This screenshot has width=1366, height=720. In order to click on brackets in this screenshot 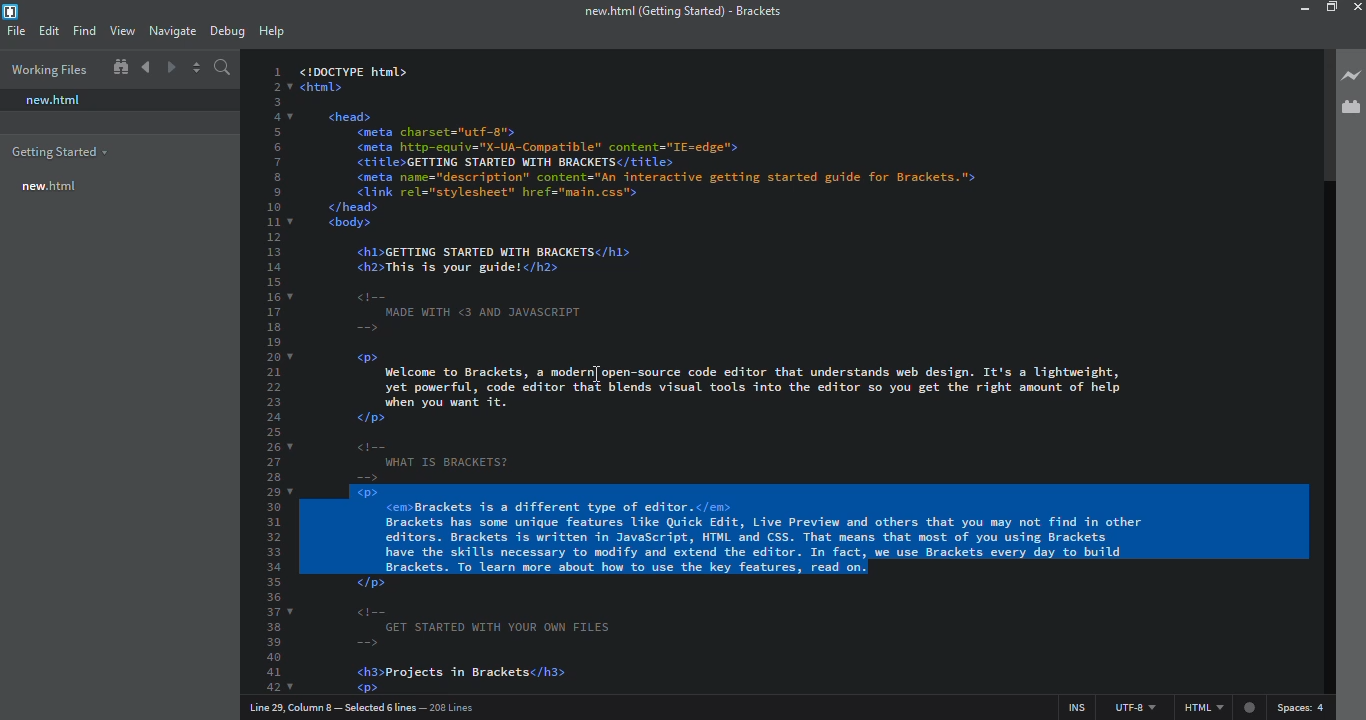, I will do `click(677, 11)`.